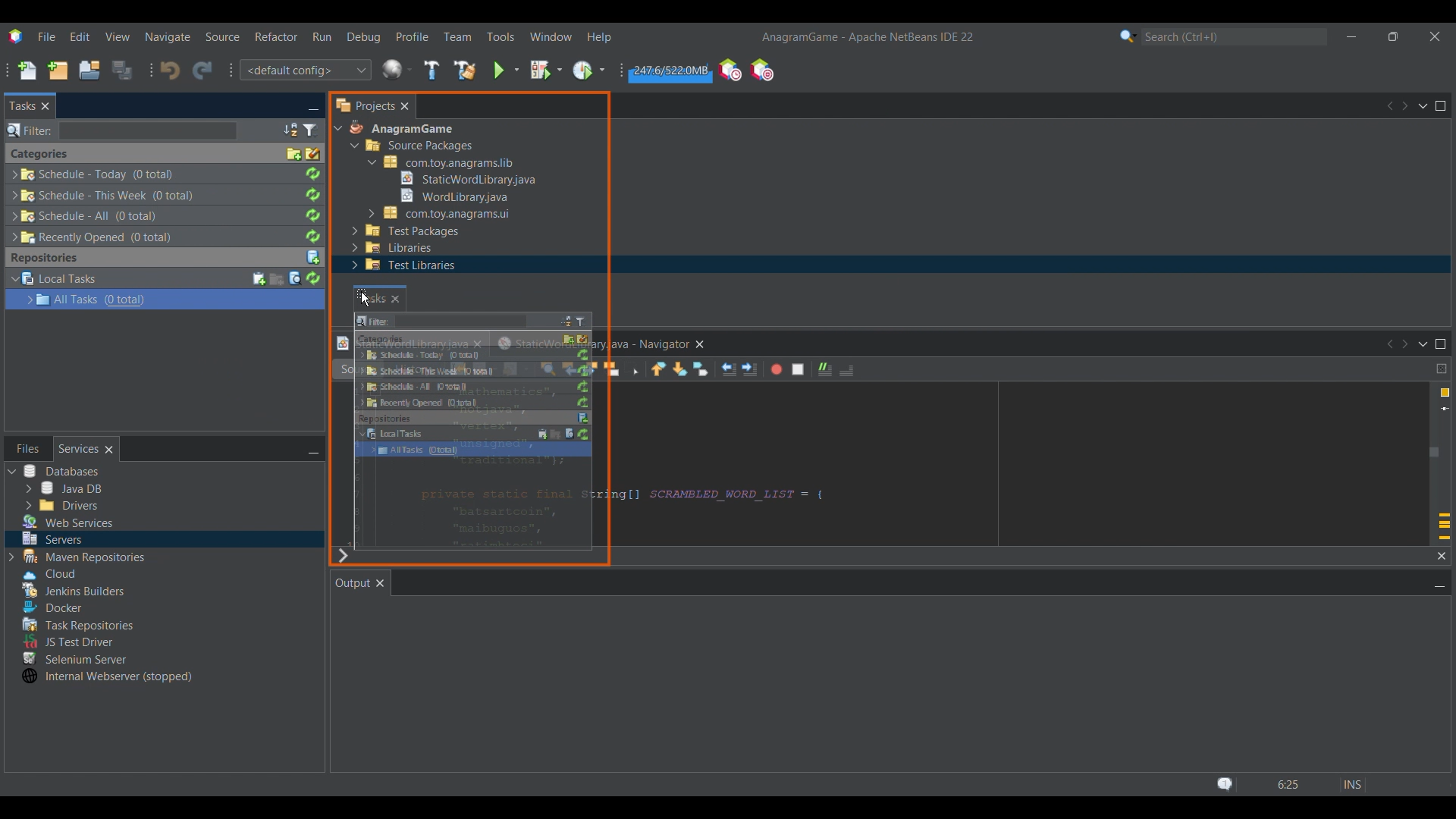 The height and width of the screenshot is (819, 1456). Describe the element at coordinates (1442, 557) in the screenshot. I see `Close` at that location.